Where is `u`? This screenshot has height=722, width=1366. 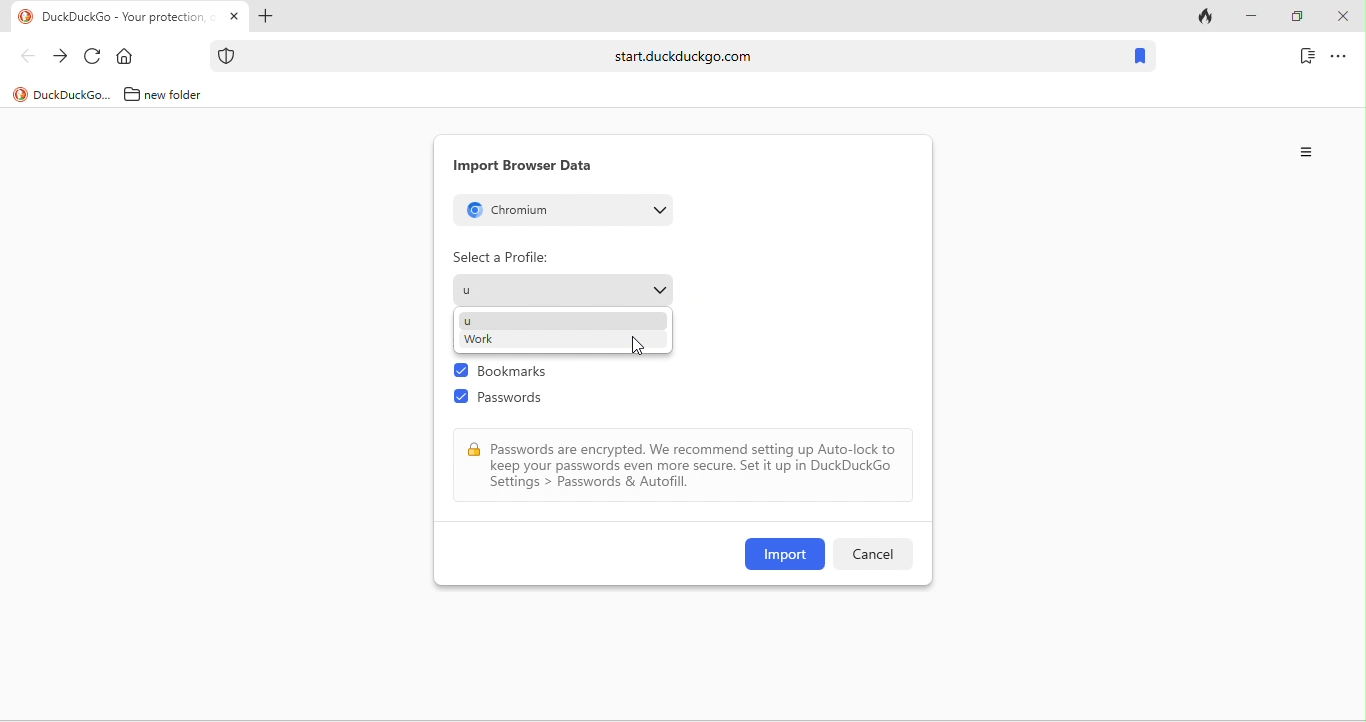 u is located at coordinates (467, 321).